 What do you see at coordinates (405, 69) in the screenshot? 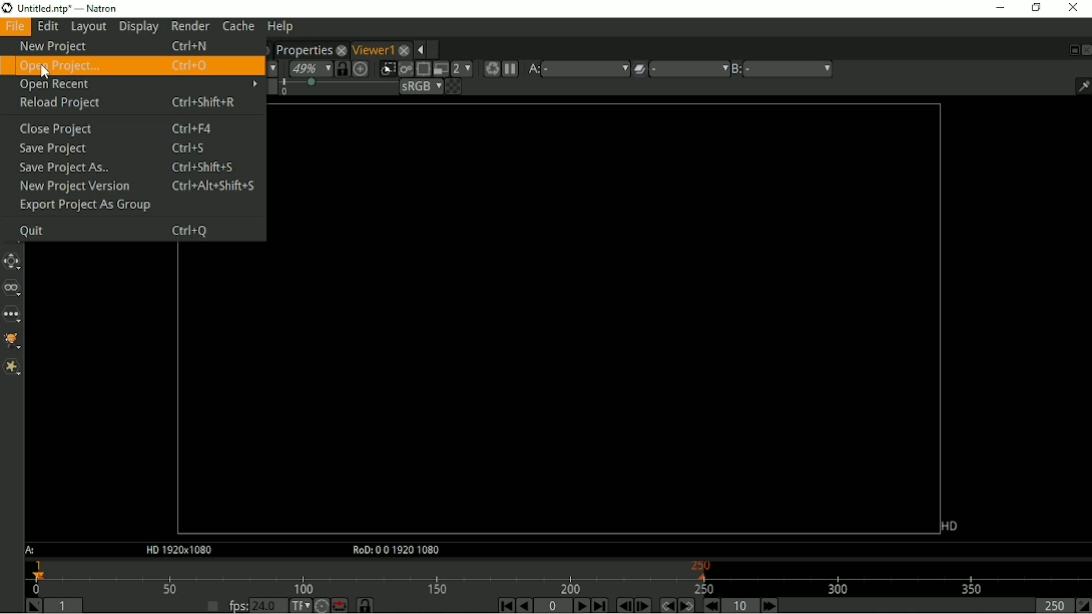
I see `Render image` at bounding box center [405, 69].